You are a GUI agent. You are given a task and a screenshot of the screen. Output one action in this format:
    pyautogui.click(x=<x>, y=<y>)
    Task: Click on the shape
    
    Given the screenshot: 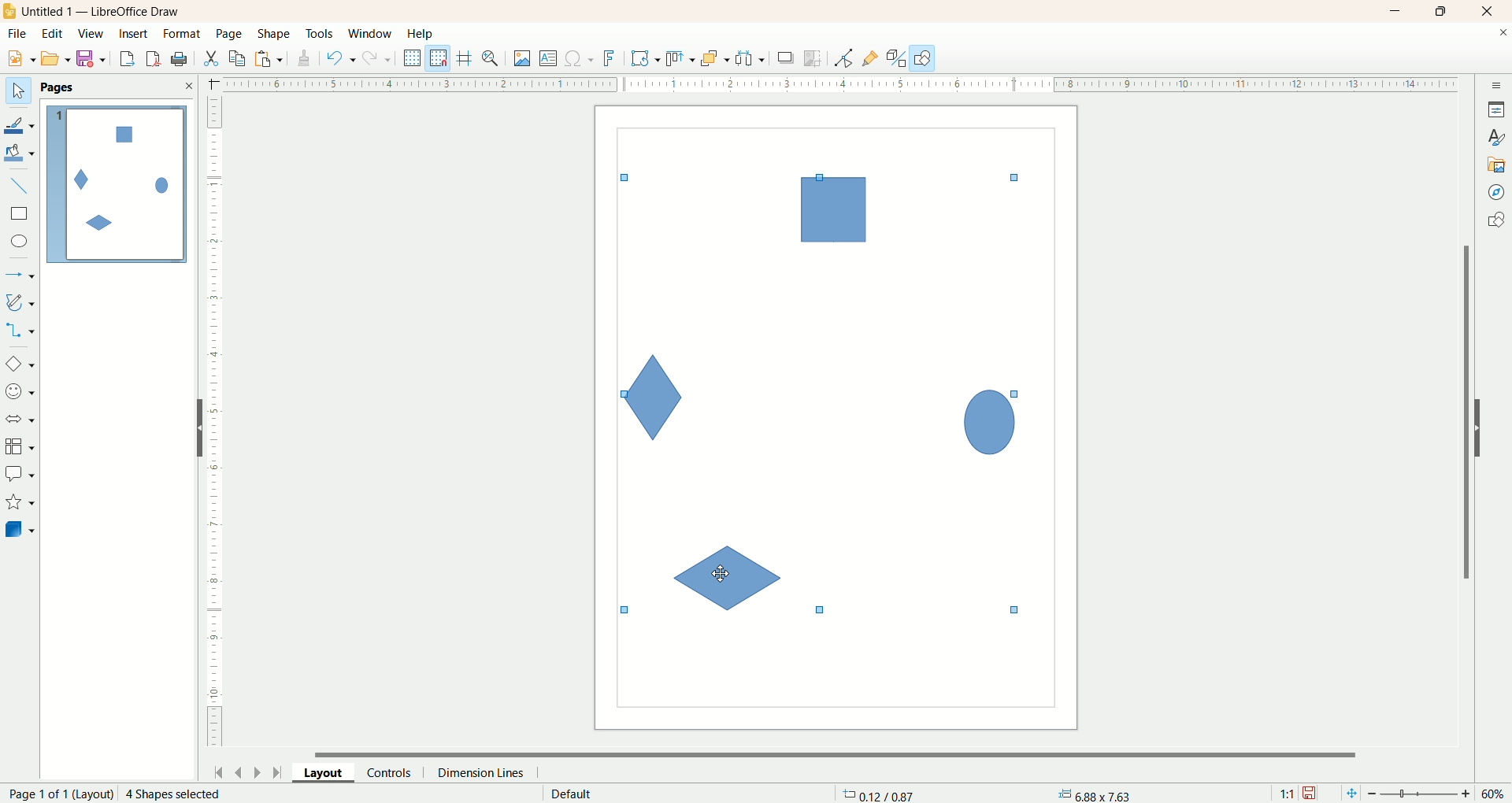 What is the action you would take?
    pyautogui.click(x=275, y=35)
    